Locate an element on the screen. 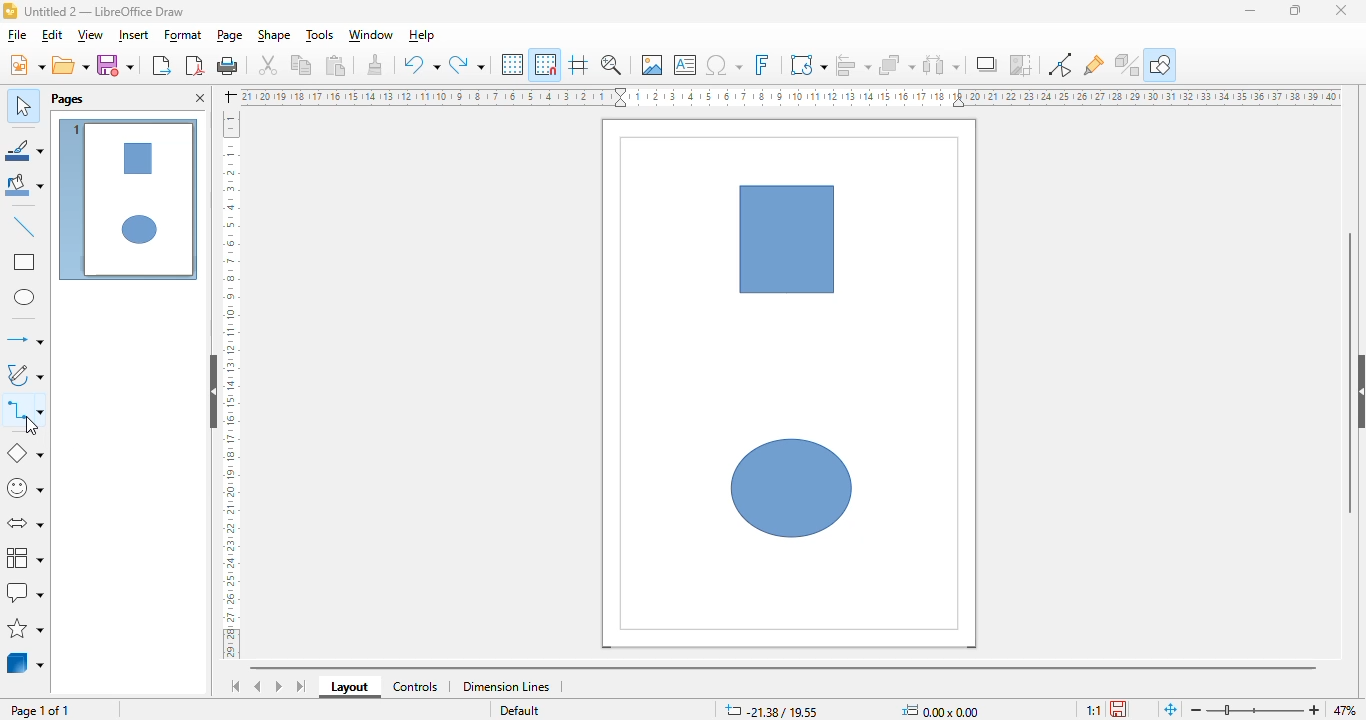 This screenshot has height=720, width=1366. hide is located at coordinates (215, 392).